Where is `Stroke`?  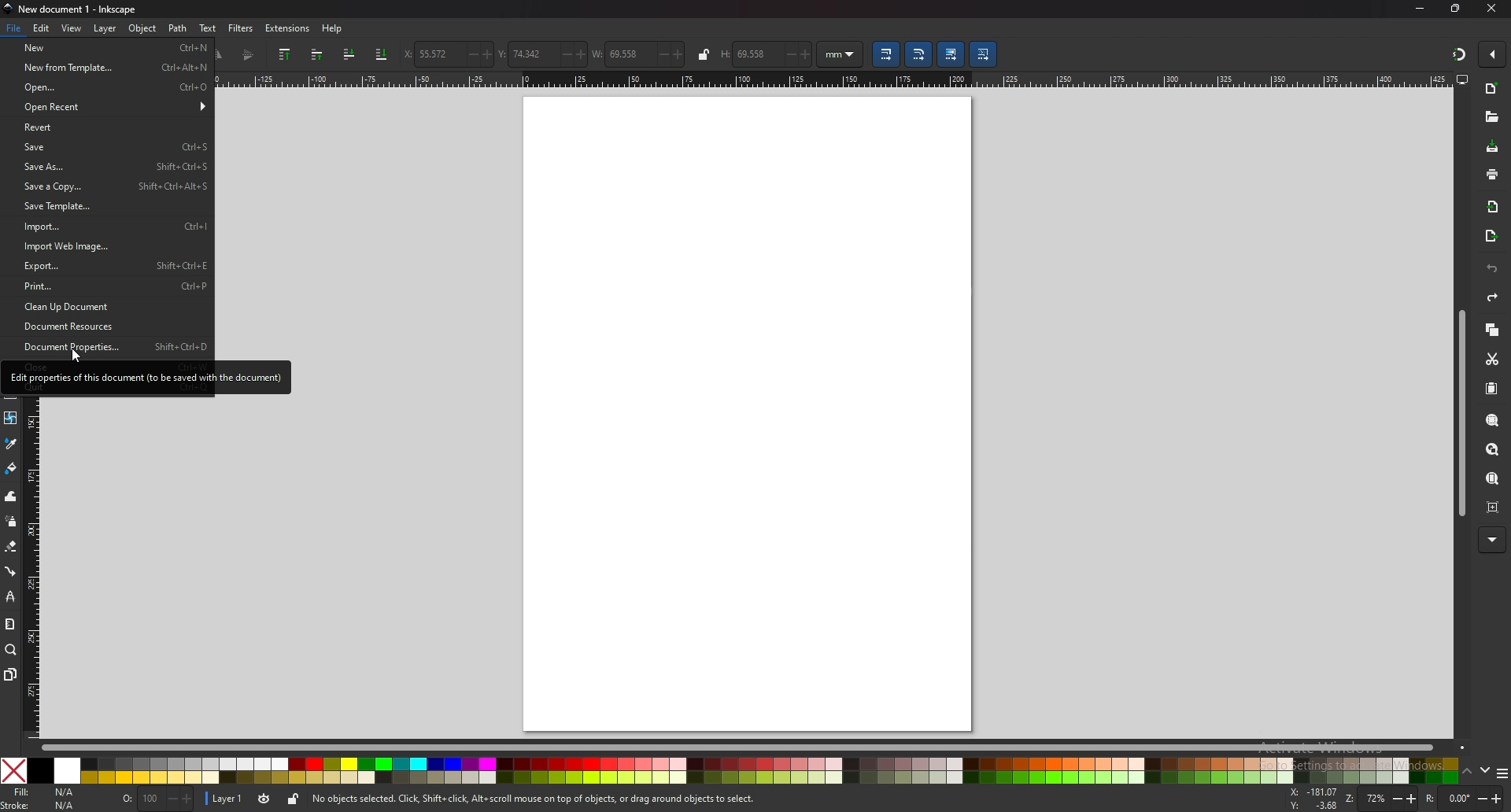
Stroke is located at coordinates (41, 806).